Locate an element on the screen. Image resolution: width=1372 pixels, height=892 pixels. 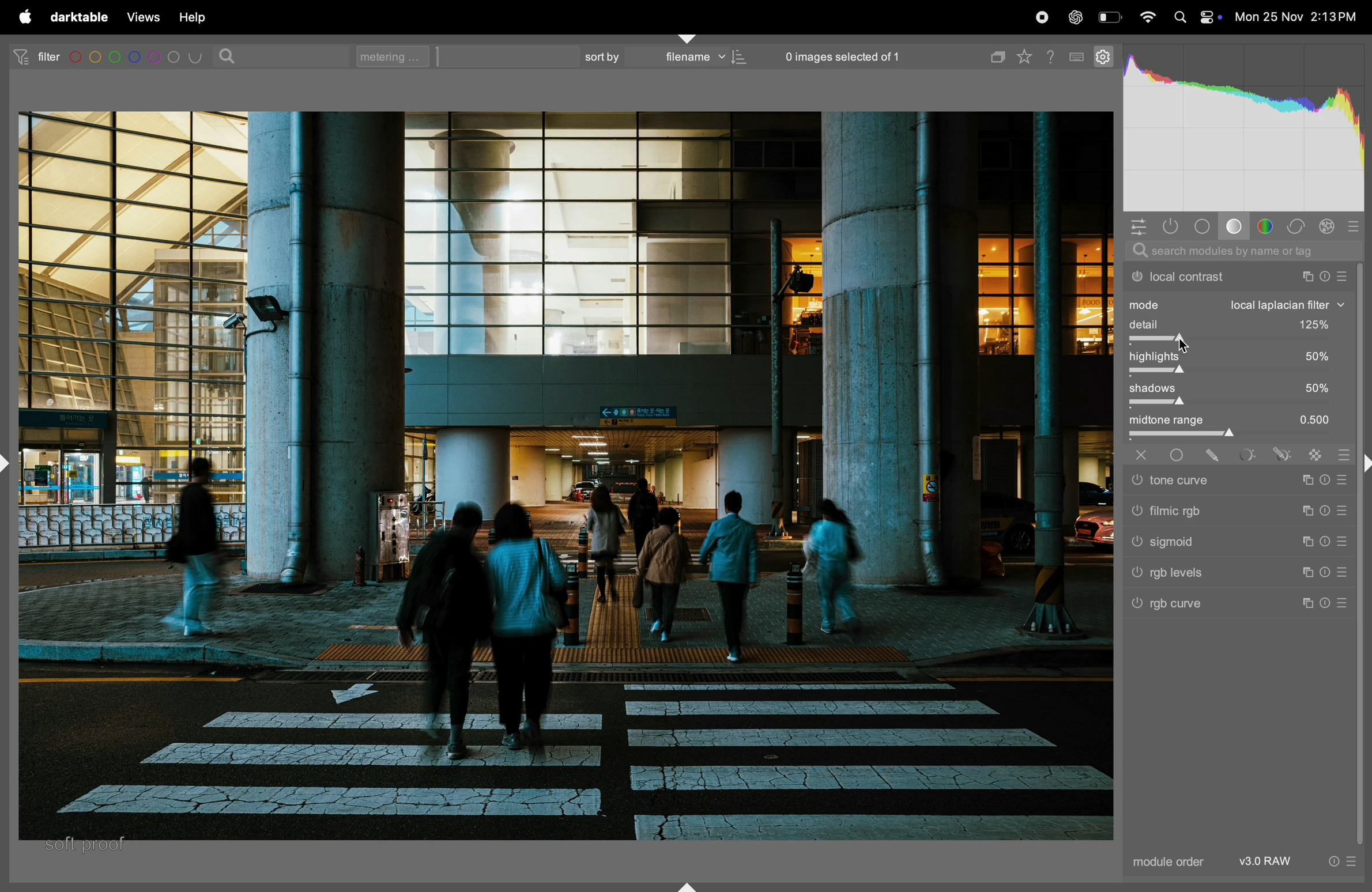
record is located at coordinates (1043, 17).